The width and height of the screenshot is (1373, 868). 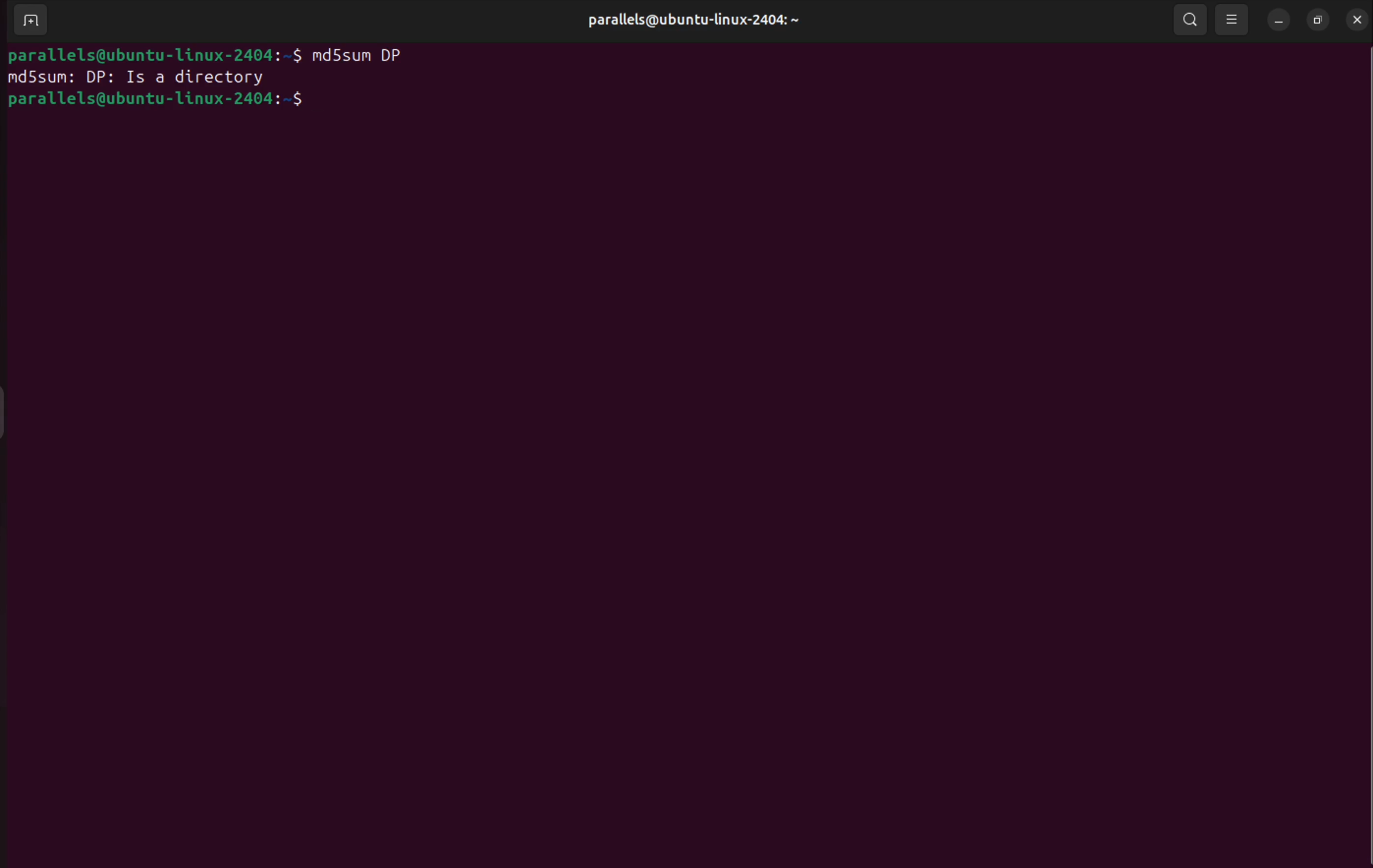 What do you see at coordinates (1317, 19) in the screenshot?
I see `resize` at bounding box center [1317, 19].